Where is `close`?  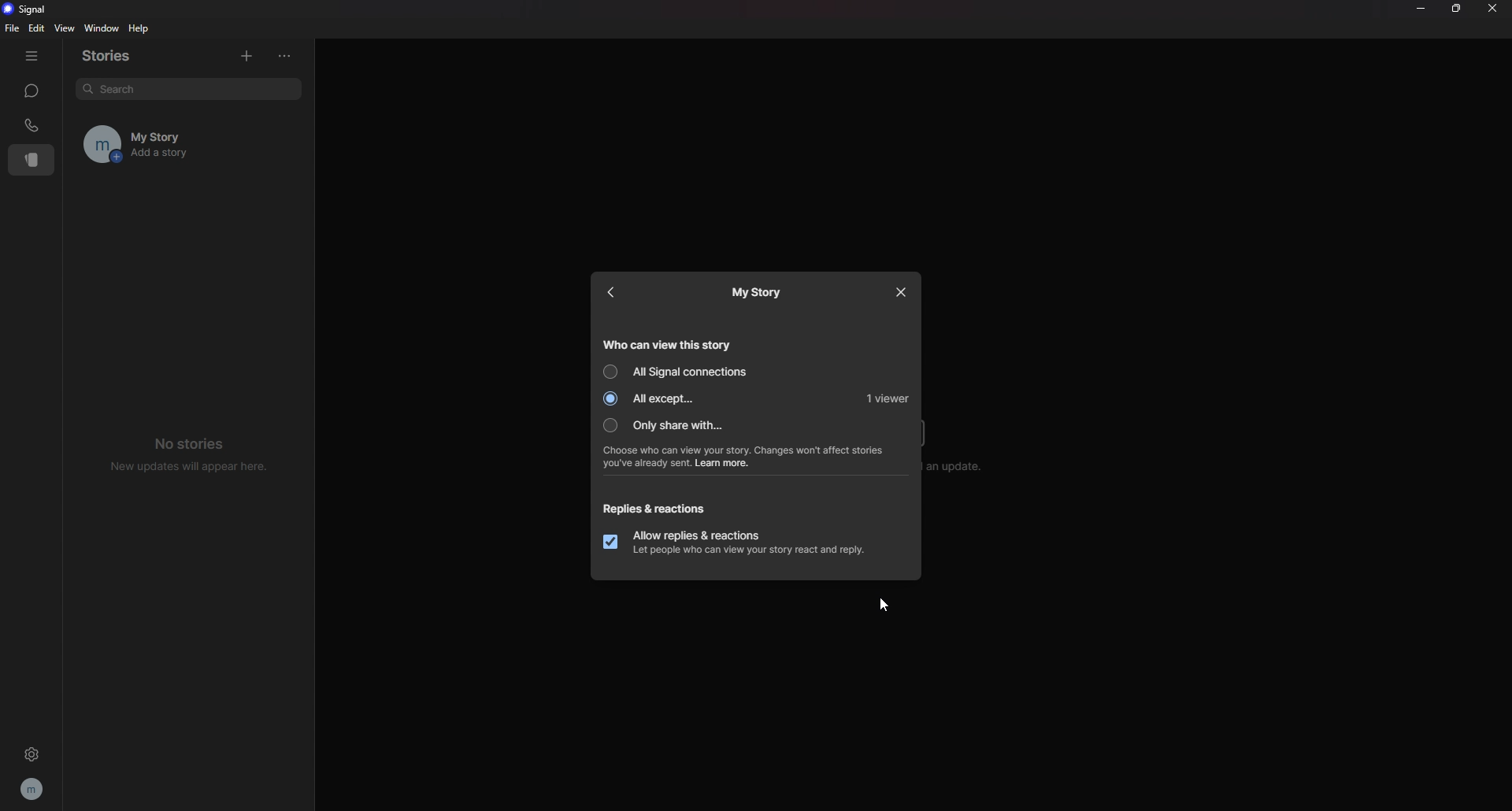 close is located at coordinates (899, 291).